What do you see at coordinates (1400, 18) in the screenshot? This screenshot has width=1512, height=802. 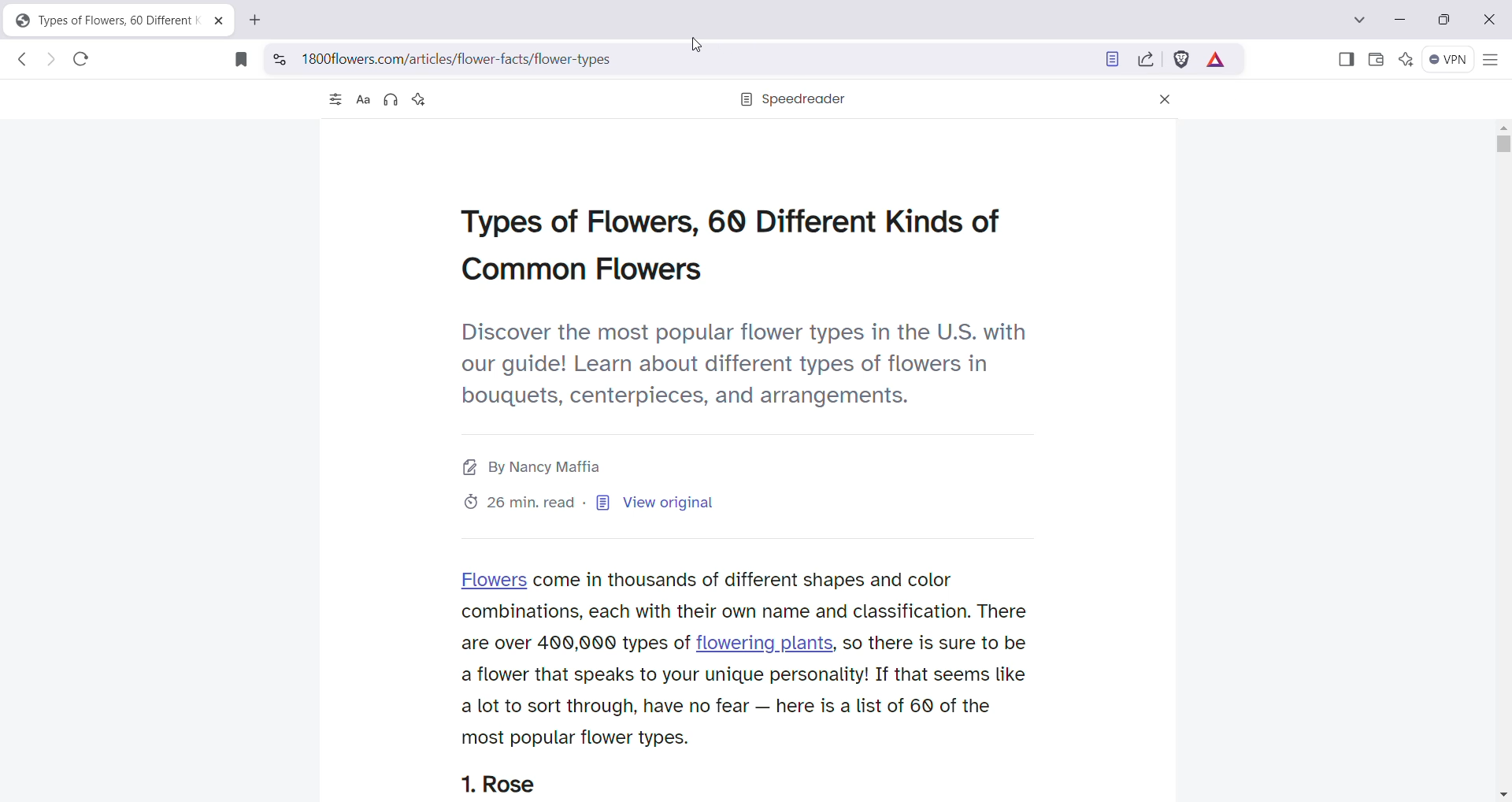 I see `Minimize` at bounding box center [1400, 18].